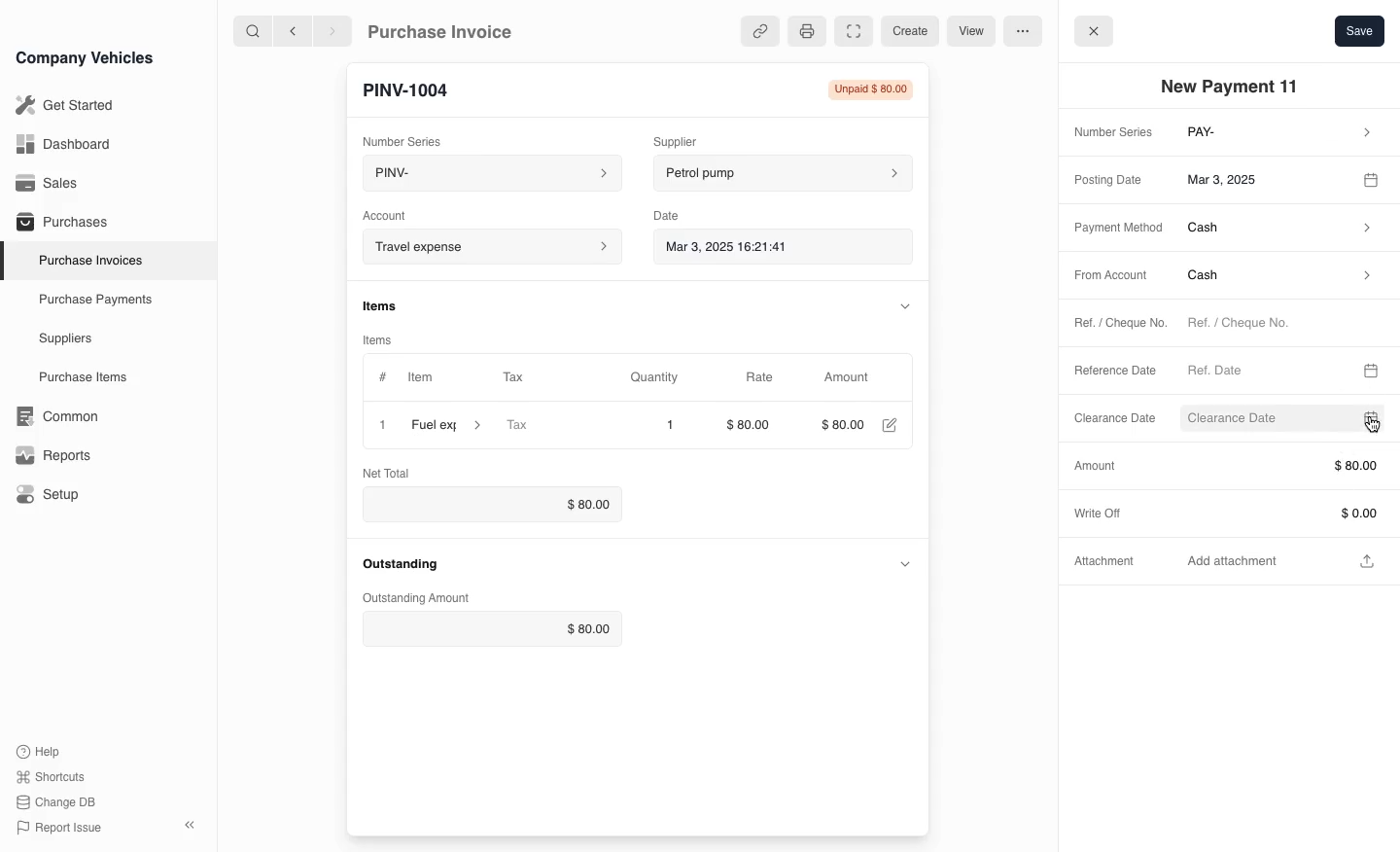 This screenshot has width=1400, height=852. What do you see at coordinates (1110, 325) in the screenshot?
I see `Ref. / Cheque No` at bounding box center [1110, 325].